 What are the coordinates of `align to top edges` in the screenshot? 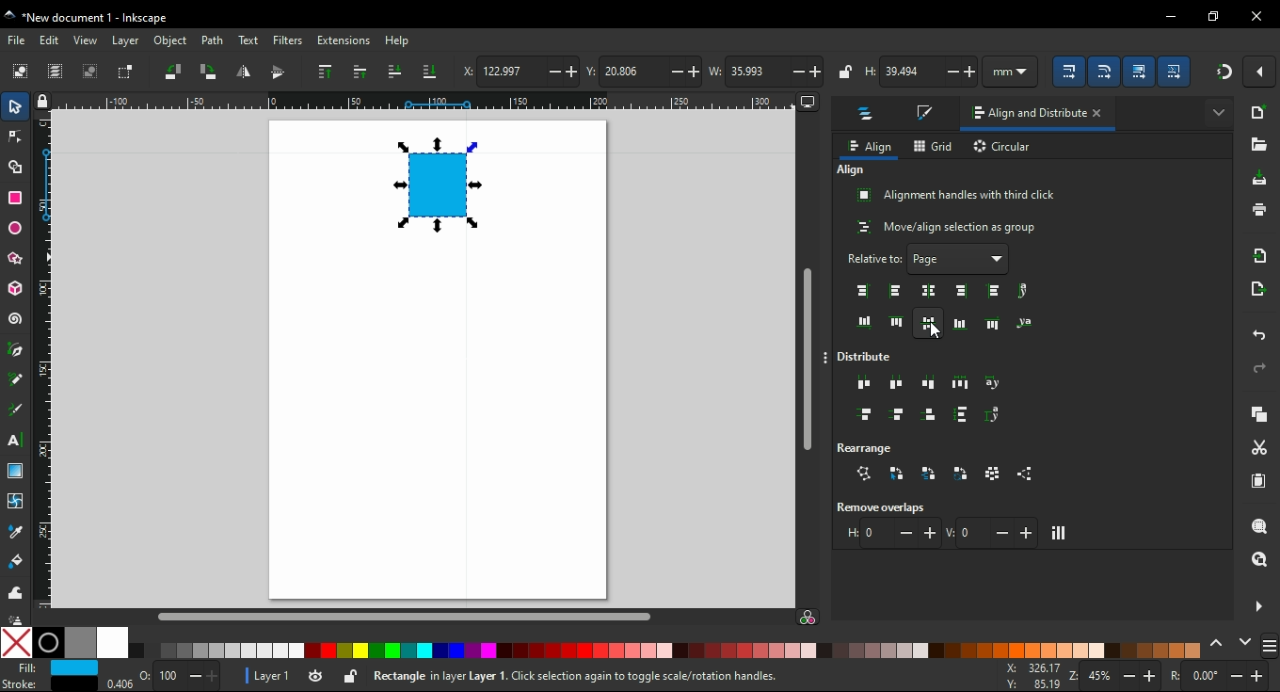 It's located at (897, 321).